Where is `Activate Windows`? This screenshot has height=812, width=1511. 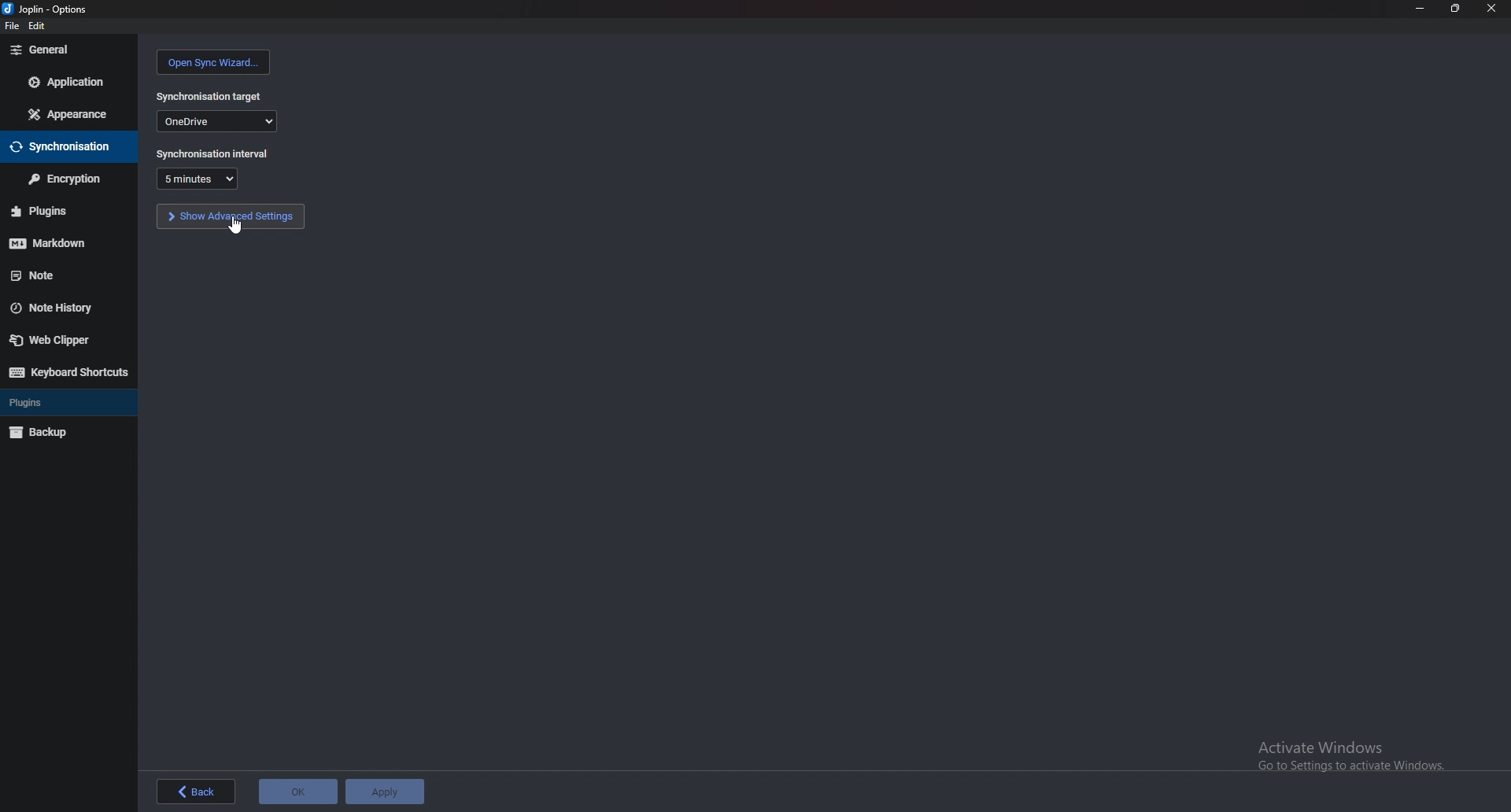 Activate Windows is located at coordinates (1346, 755).